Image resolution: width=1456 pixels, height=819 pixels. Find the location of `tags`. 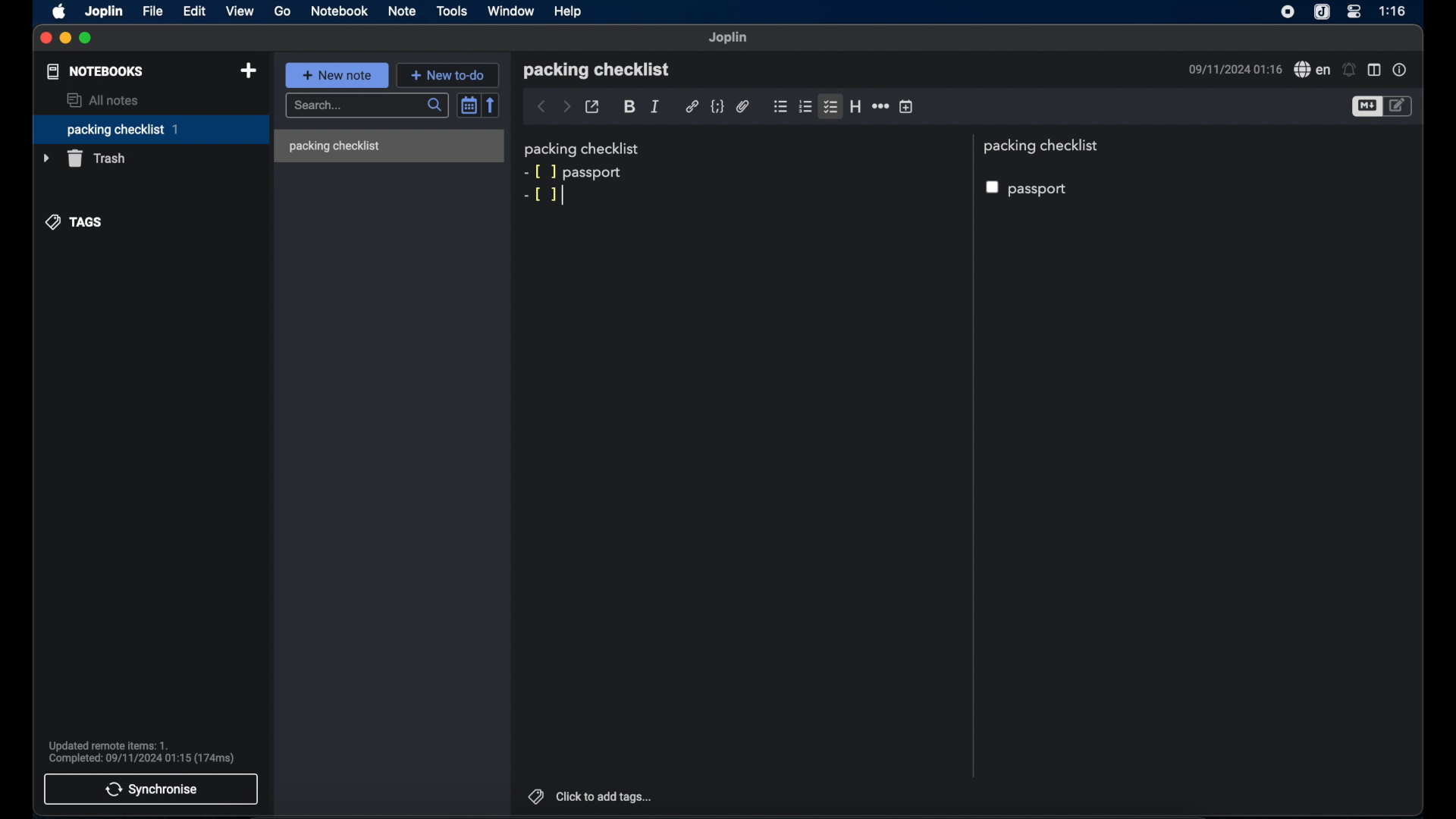

tags is located at coordinates (74, 223).